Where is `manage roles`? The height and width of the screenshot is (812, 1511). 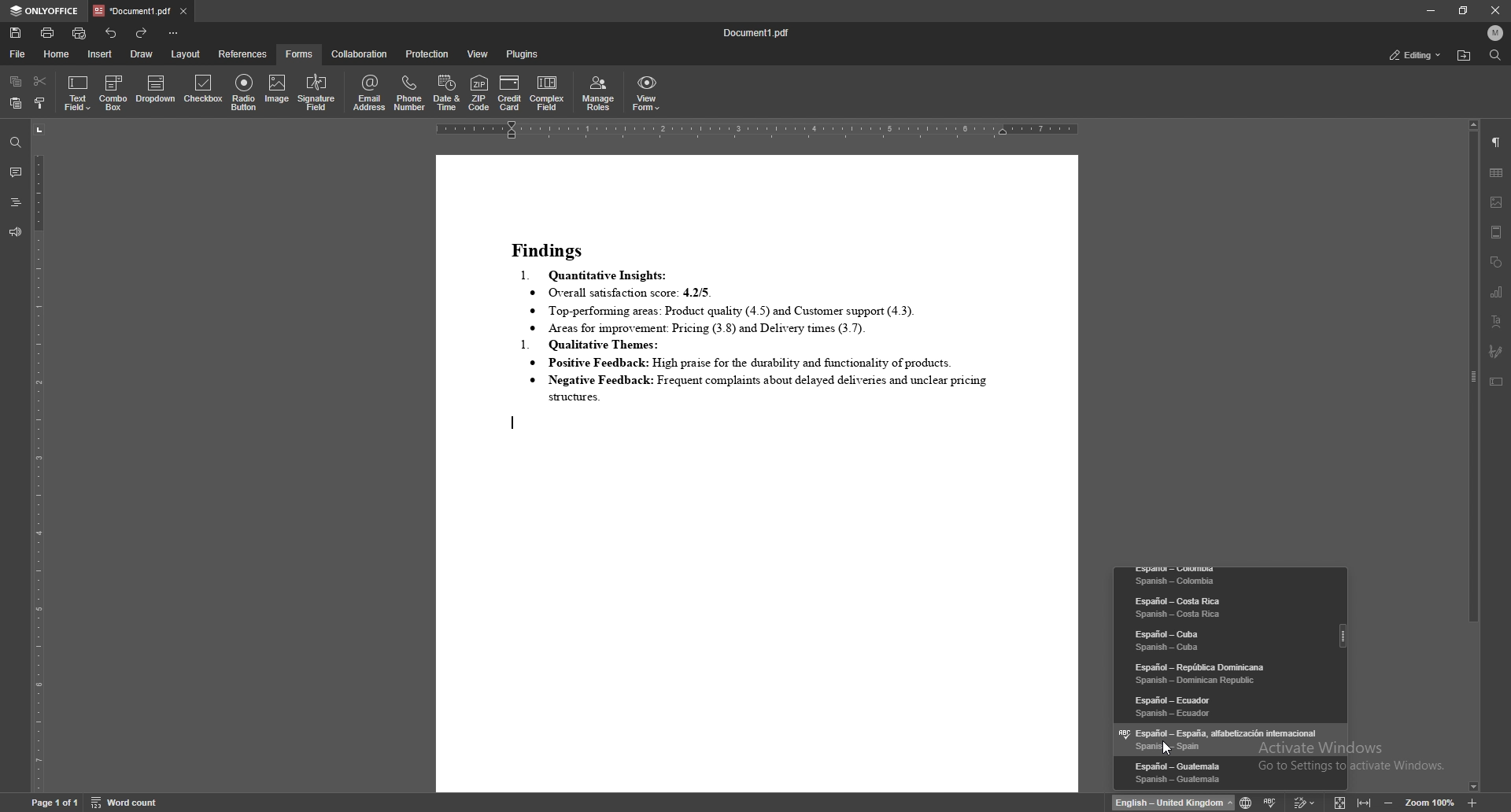
manage roles is located at coordinates (599, 94).